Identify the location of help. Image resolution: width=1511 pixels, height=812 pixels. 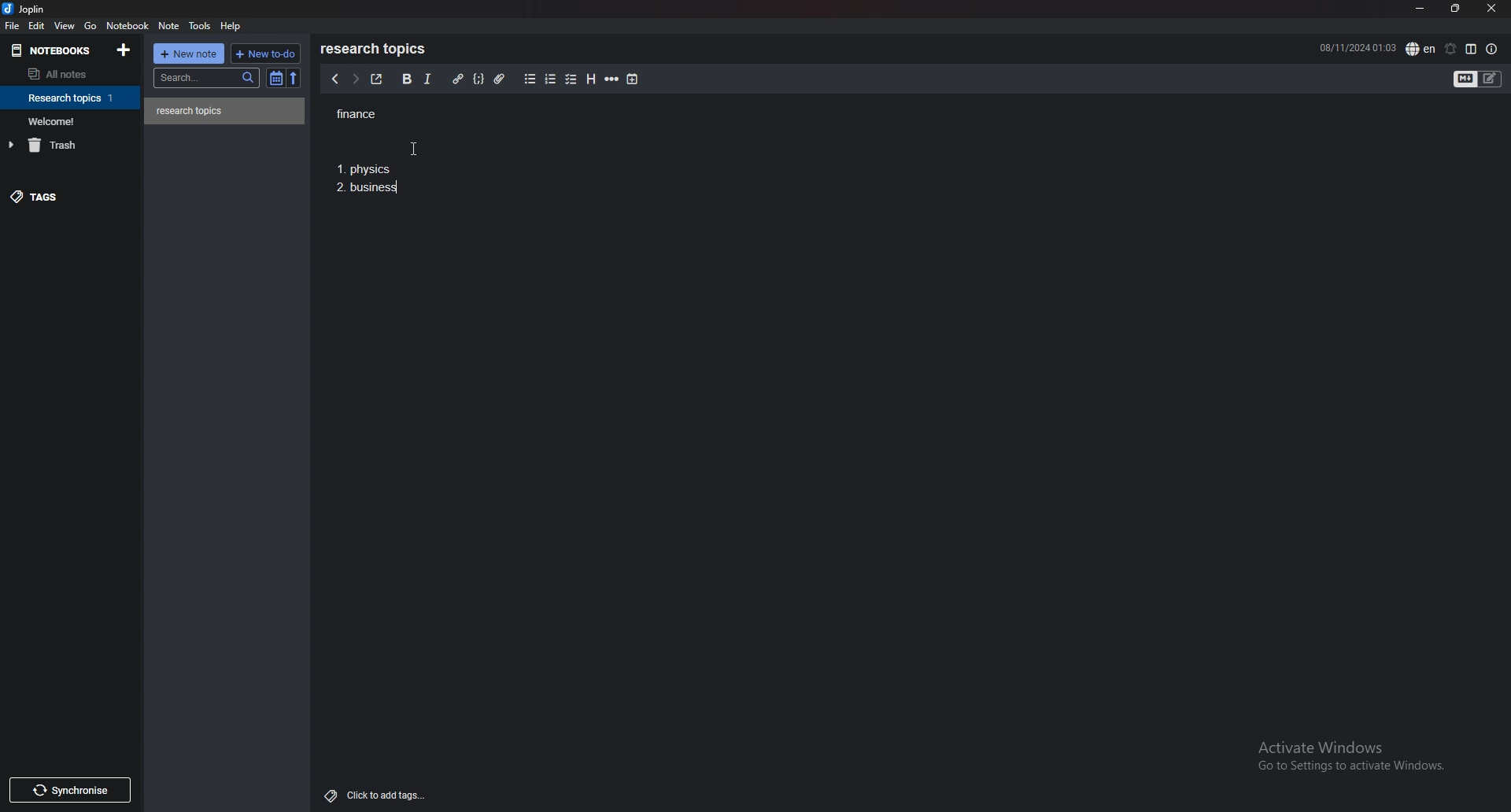
(233, 25).